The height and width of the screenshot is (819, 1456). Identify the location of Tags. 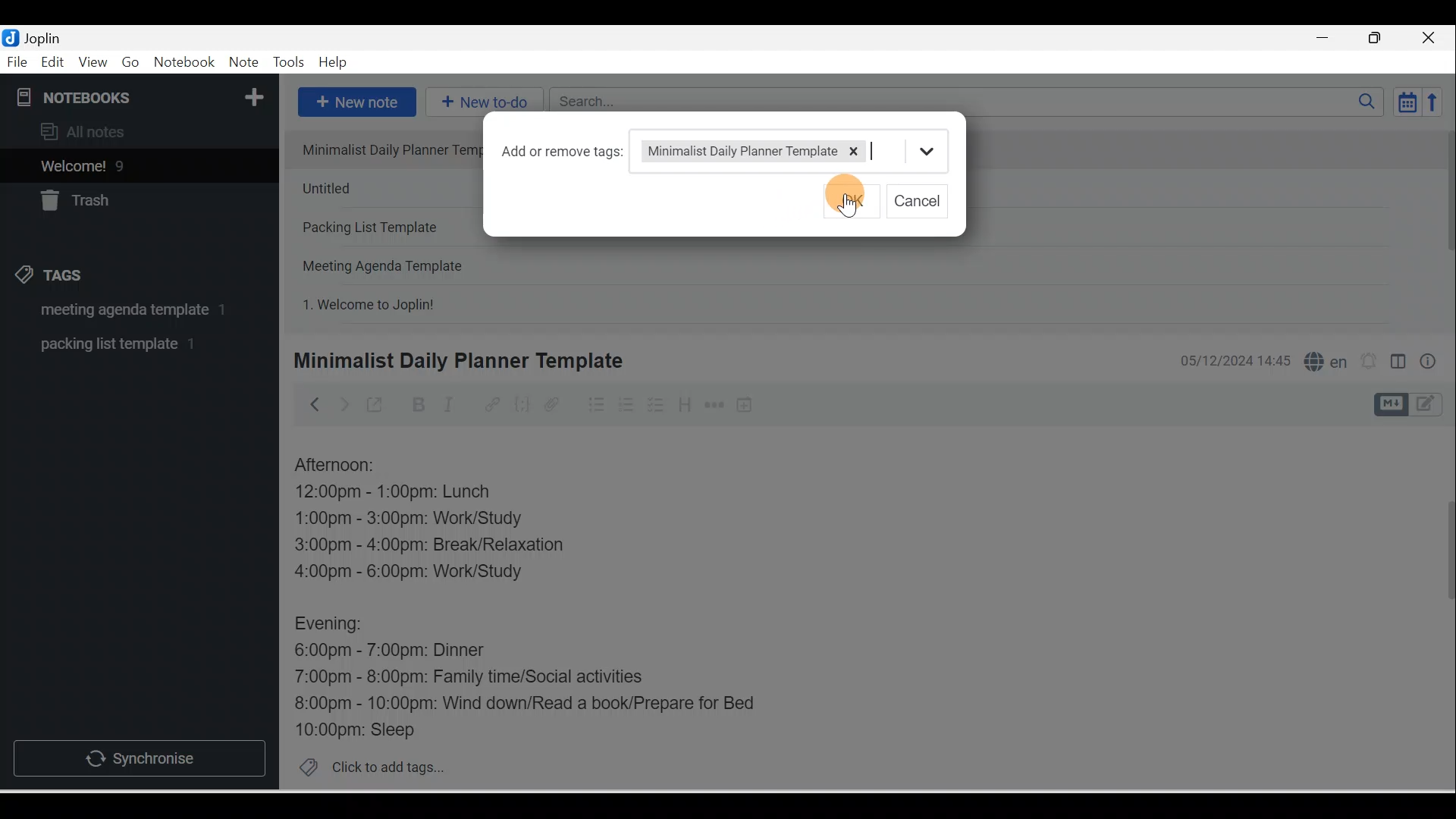
(54, 278).